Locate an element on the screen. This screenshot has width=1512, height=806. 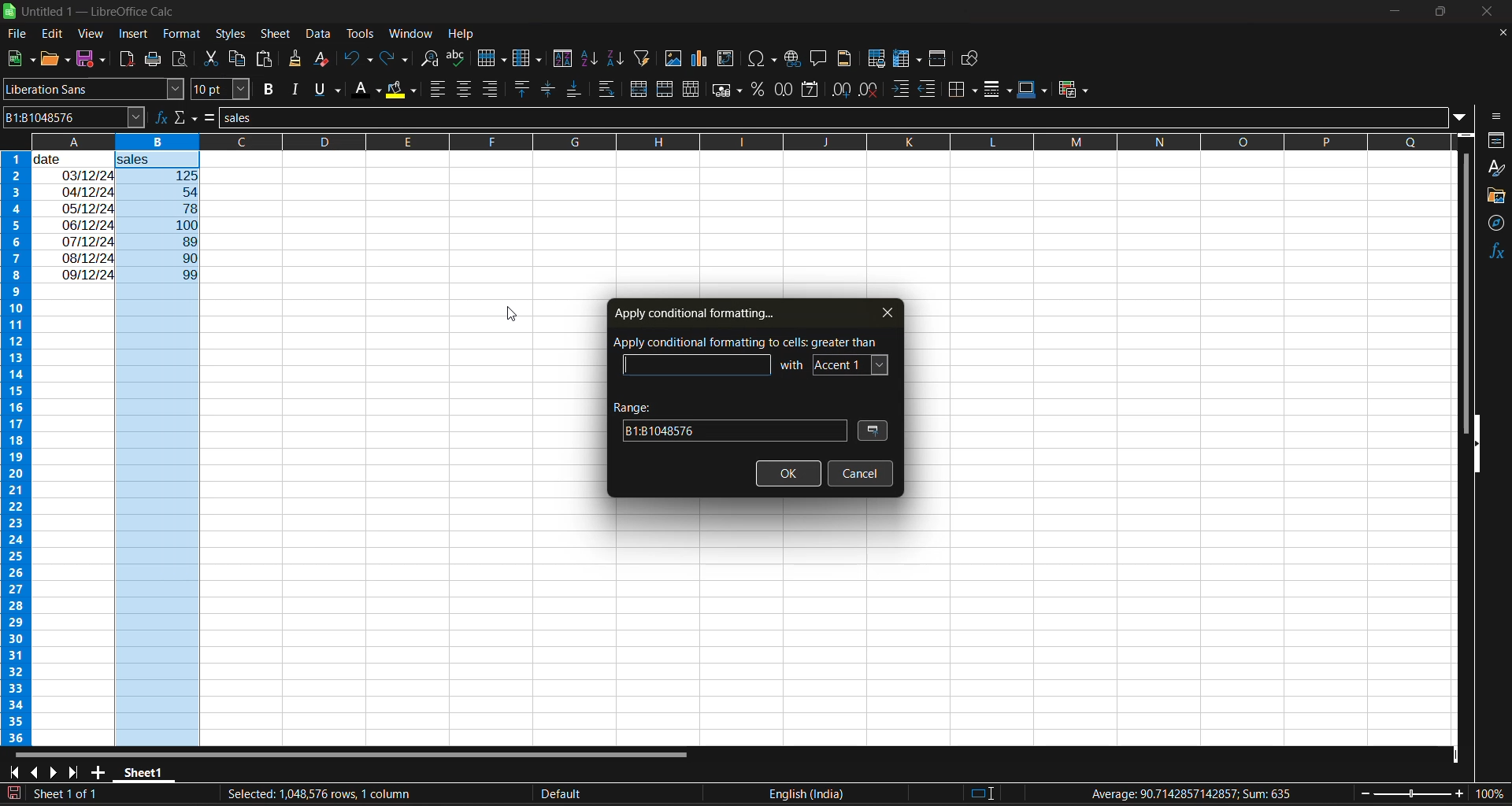
sheet is located at coordinates (275, 35).